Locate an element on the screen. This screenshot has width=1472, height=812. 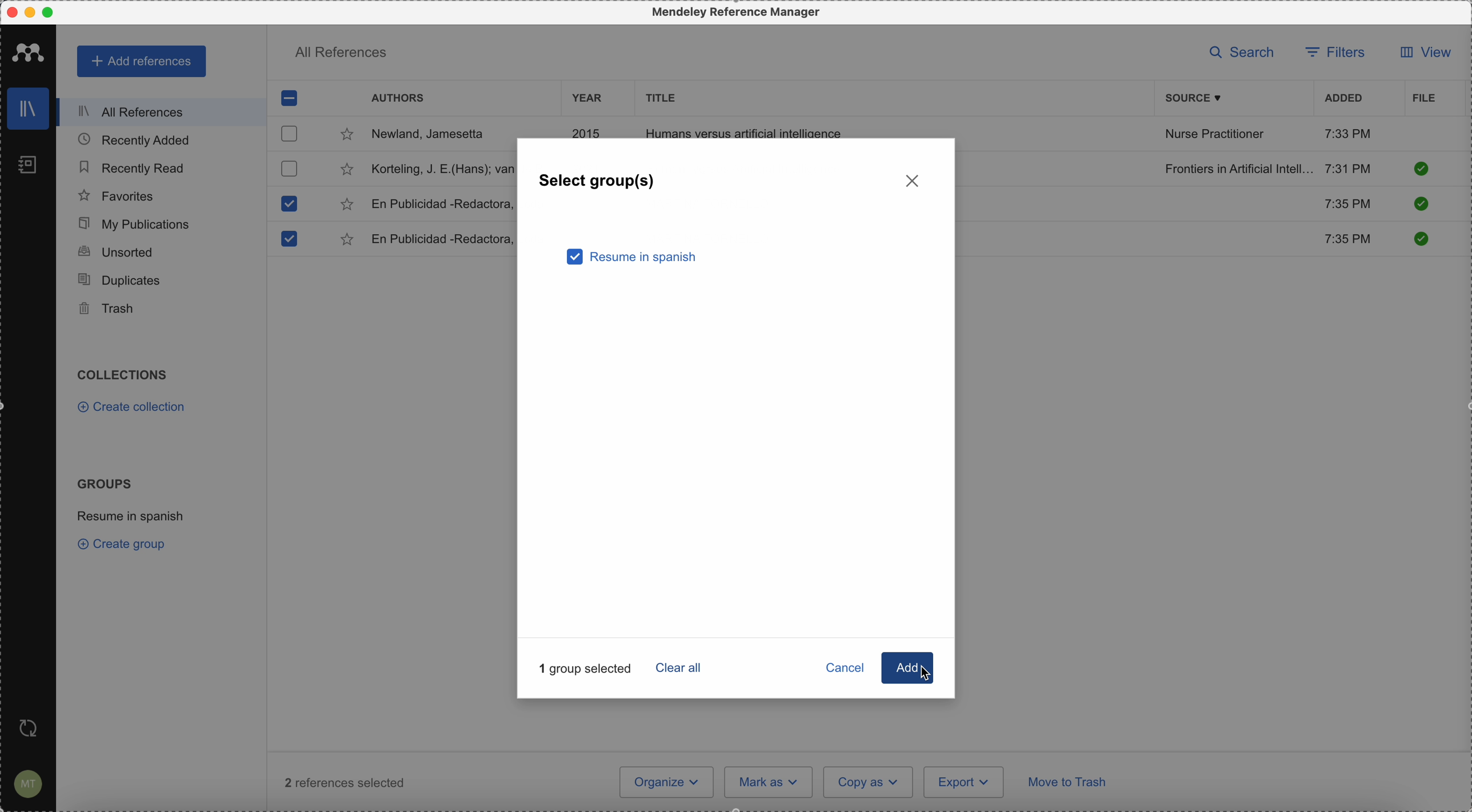
En Publicidad-Redactora, Lcda is located at coordinates (442, 239).